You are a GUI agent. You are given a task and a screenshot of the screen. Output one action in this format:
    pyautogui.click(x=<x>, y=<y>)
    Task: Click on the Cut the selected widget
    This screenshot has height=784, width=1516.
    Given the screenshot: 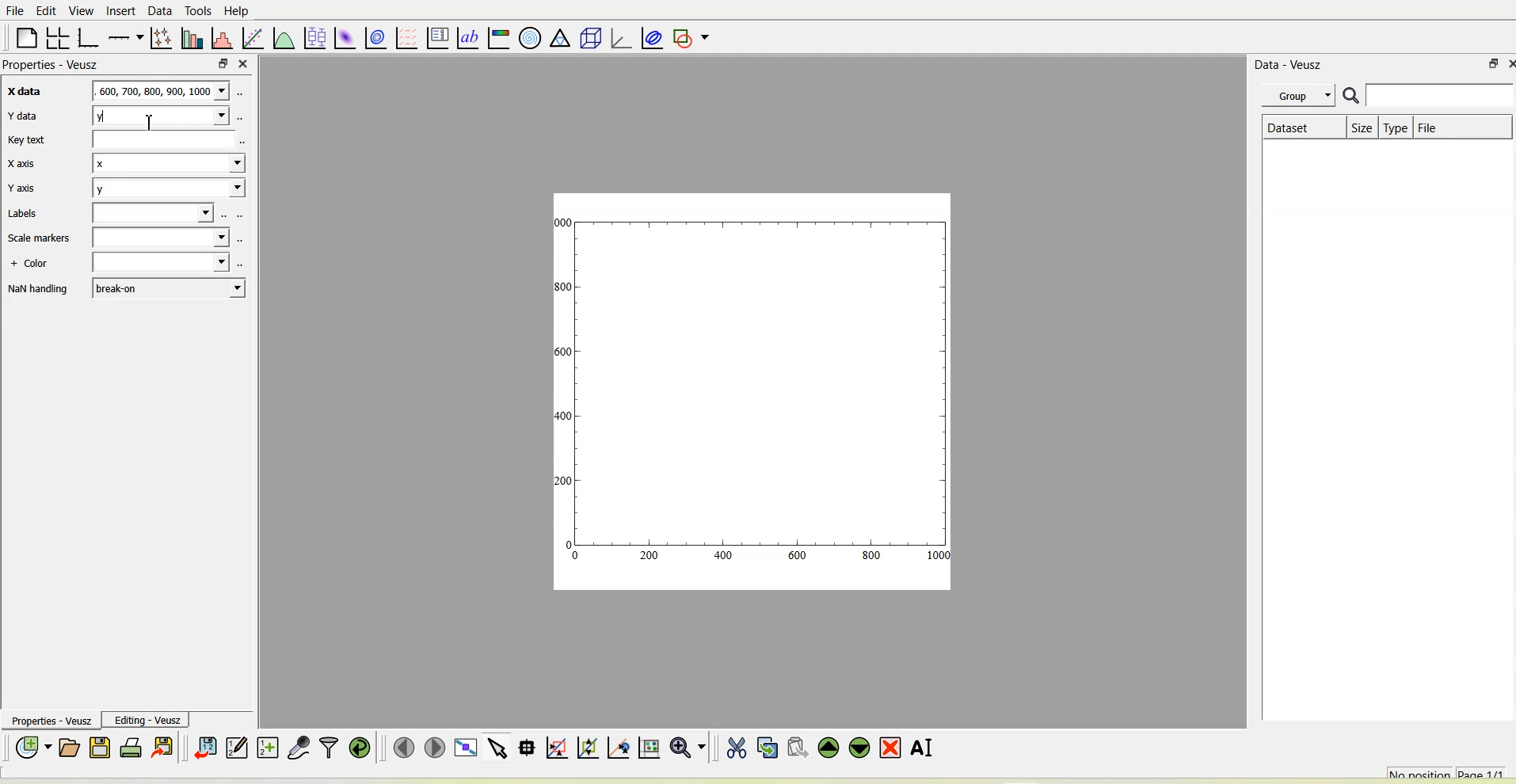 What is the action you would take?
    pyautogui.click(x=736, y=748)
    